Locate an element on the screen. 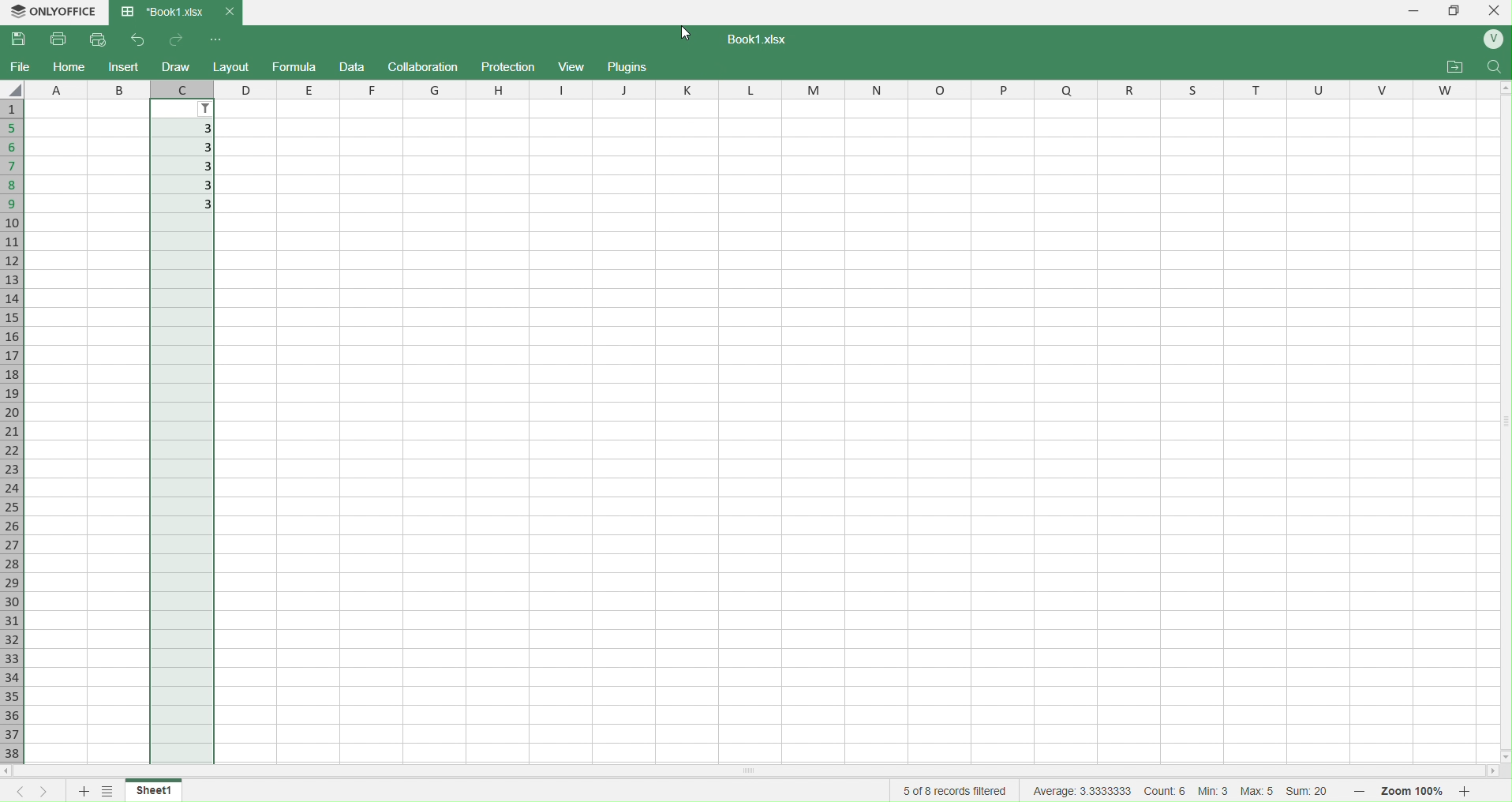 Image resolution: width=1512 pixels, height=802 pixels. Scrollbar is located at coordinates (1503, 417).